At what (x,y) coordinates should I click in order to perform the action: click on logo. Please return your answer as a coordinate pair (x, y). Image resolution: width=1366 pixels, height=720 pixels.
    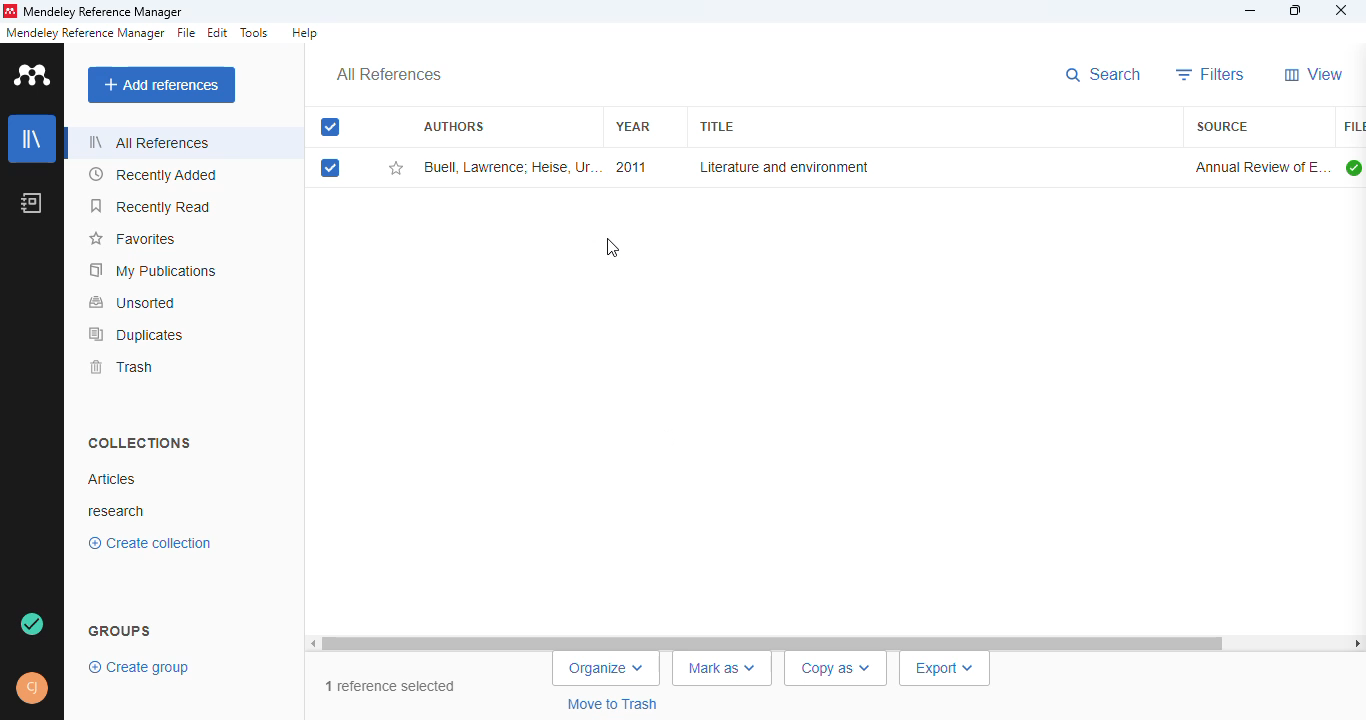
    Looking at the image, I should click on (9, 11).